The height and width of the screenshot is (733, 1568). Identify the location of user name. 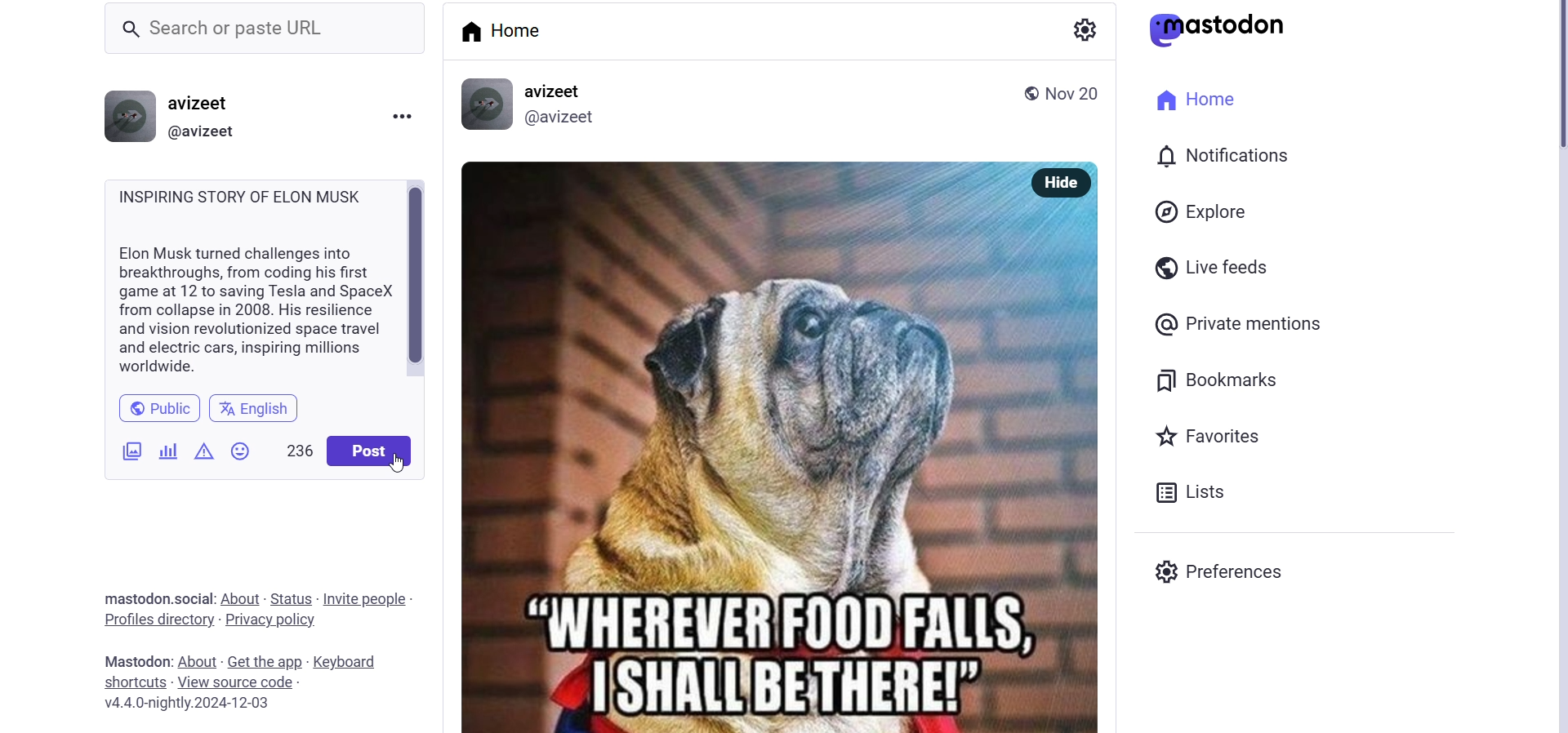
(207, 101).